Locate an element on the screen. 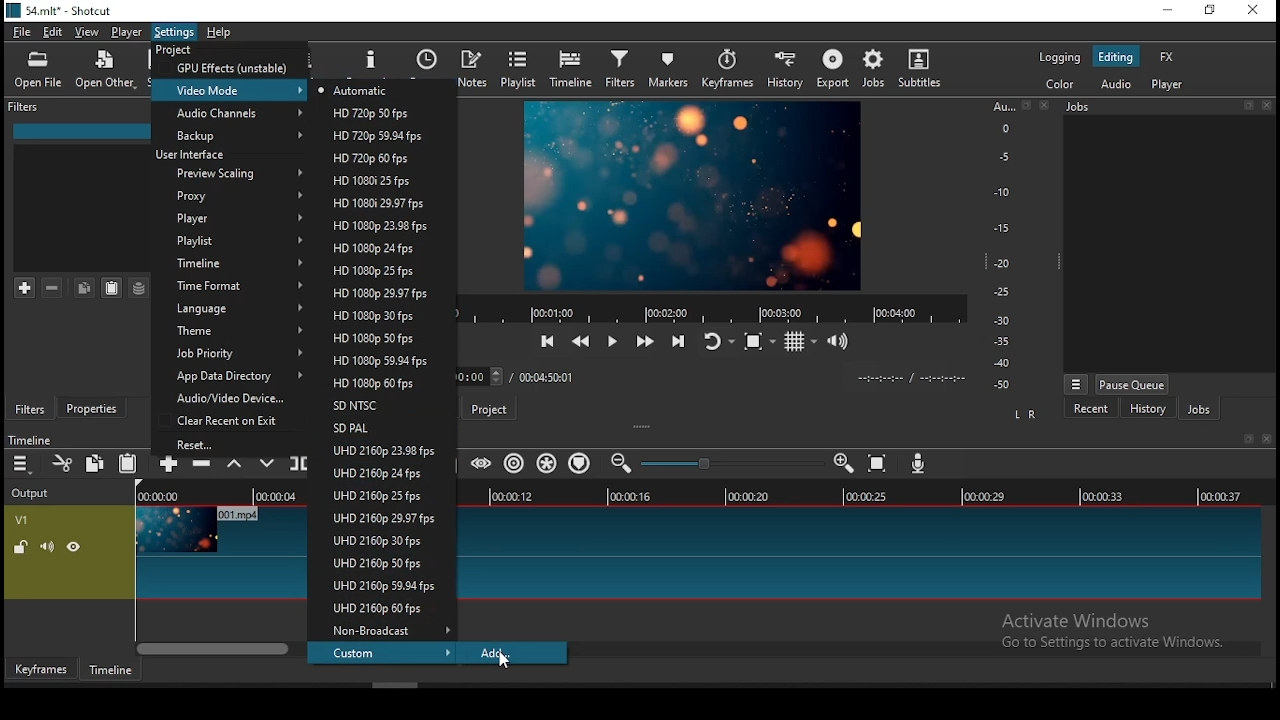 This screenshot has width=1280, height=720. restore is located at coordinates (1248, 106).